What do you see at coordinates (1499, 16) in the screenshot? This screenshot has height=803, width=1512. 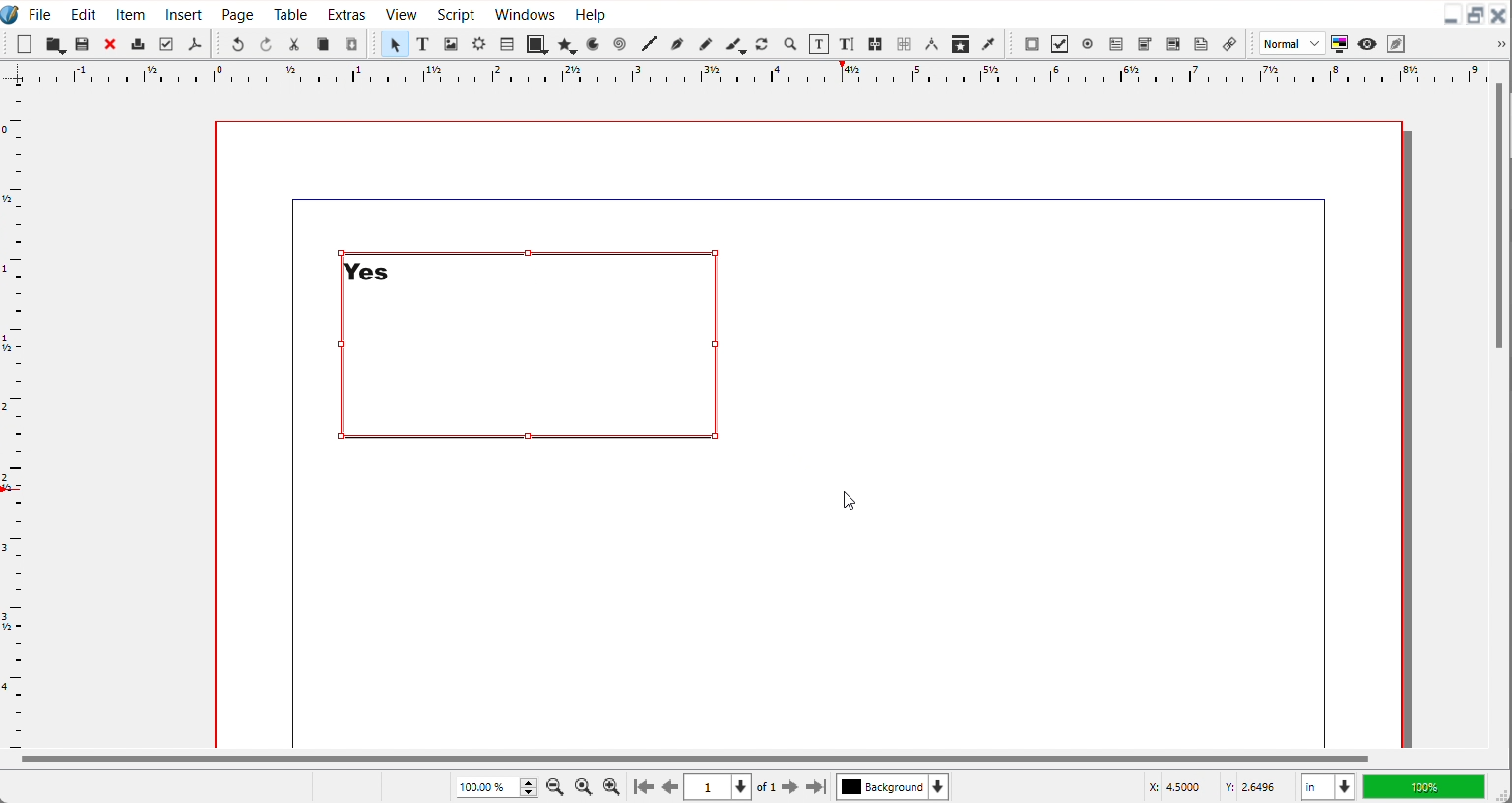 I see `Close` at bounding box center [1499, 16].